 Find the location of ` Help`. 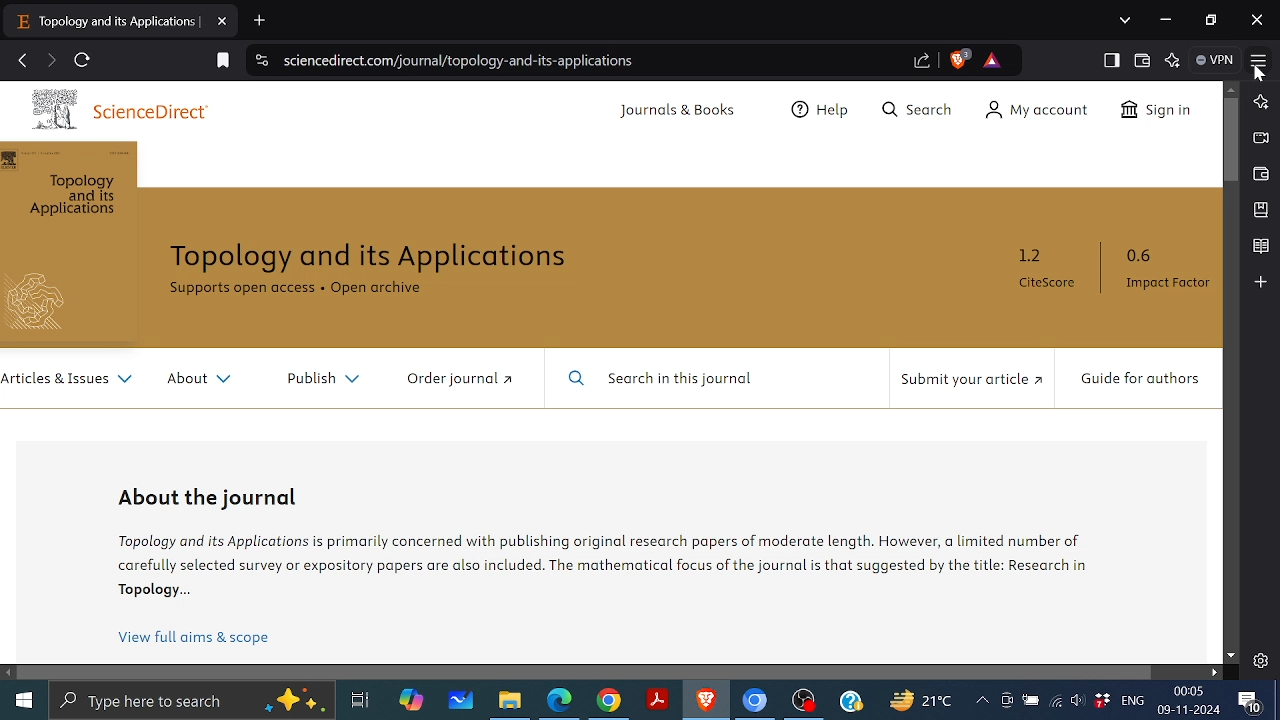

 Help is located at coordinates (825, 108).